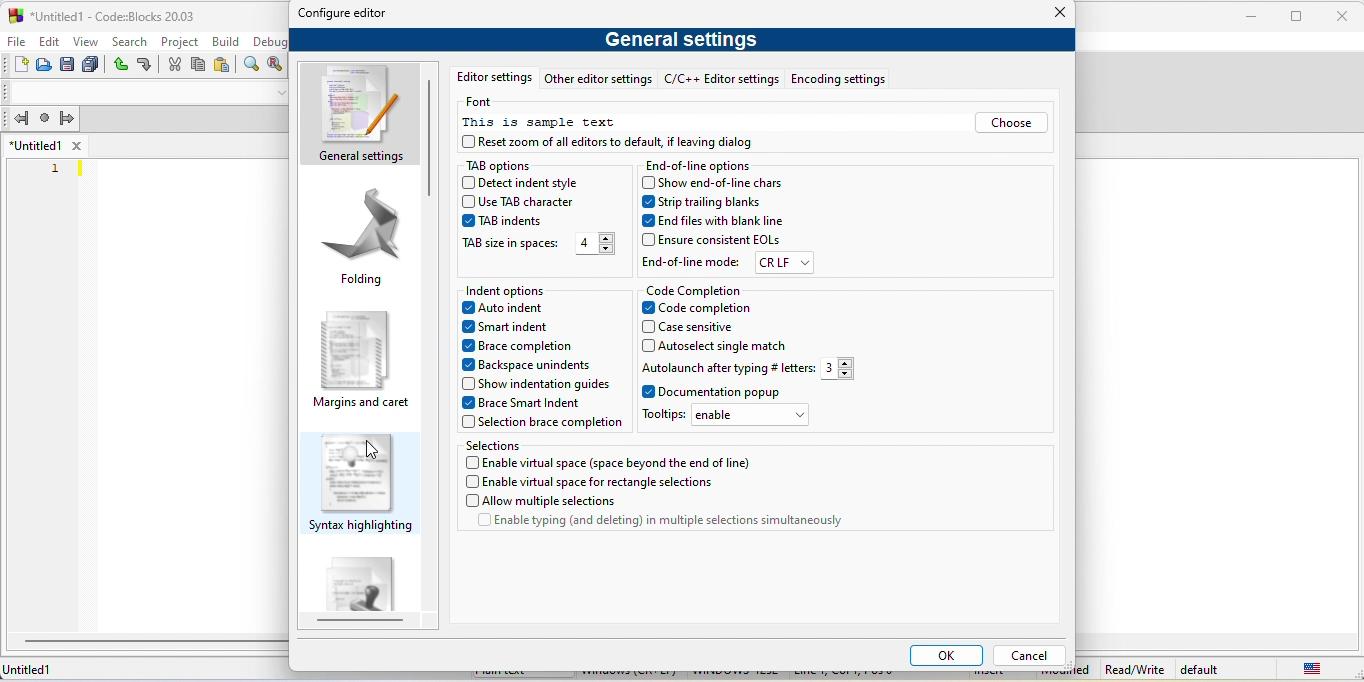  Describe the element at coordinates (519, 309) in the screenshot. I see `auto indent` at that location.